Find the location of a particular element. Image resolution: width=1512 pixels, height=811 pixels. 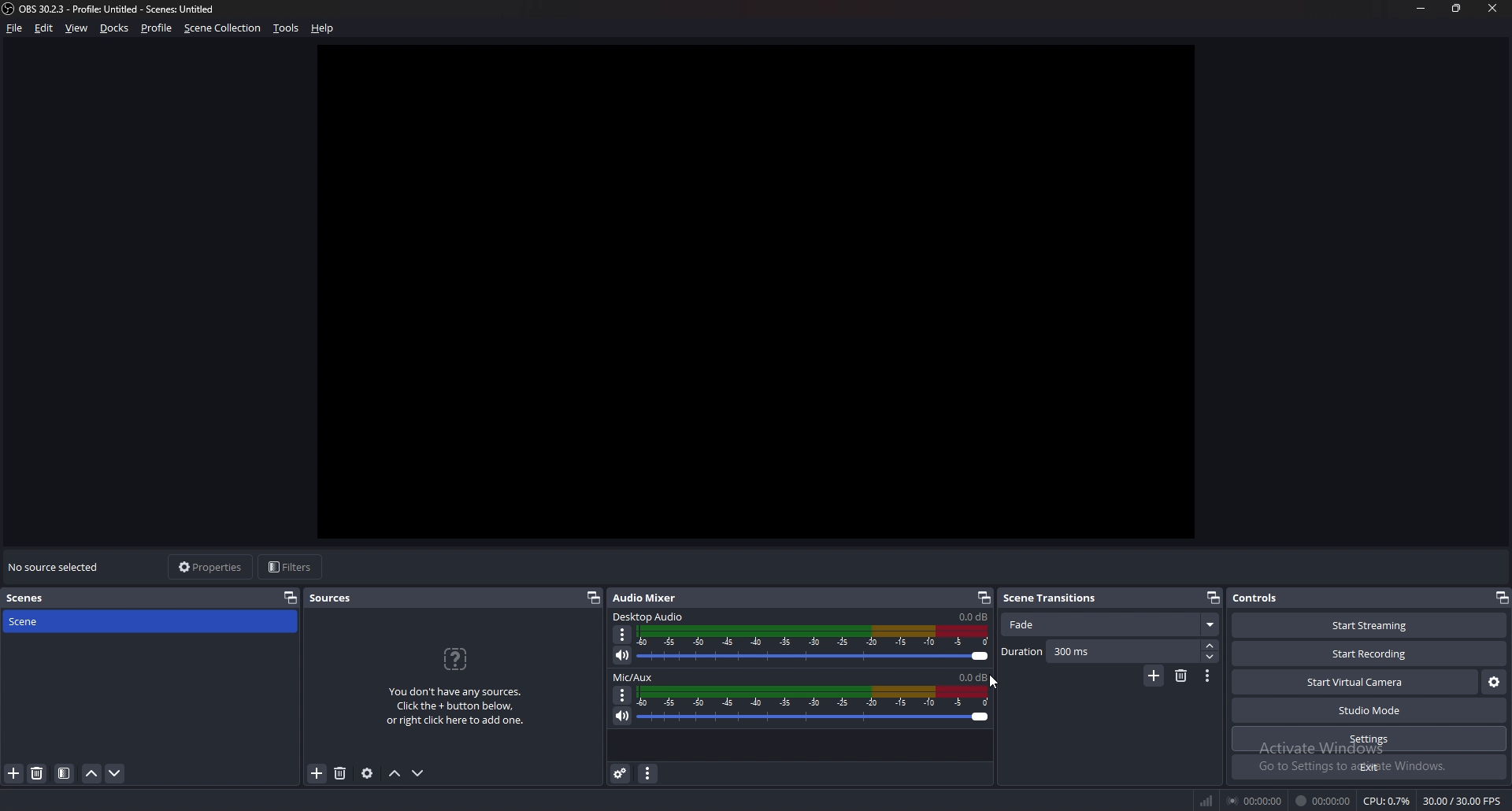

no sources selected is located at coordinates (57, 567).